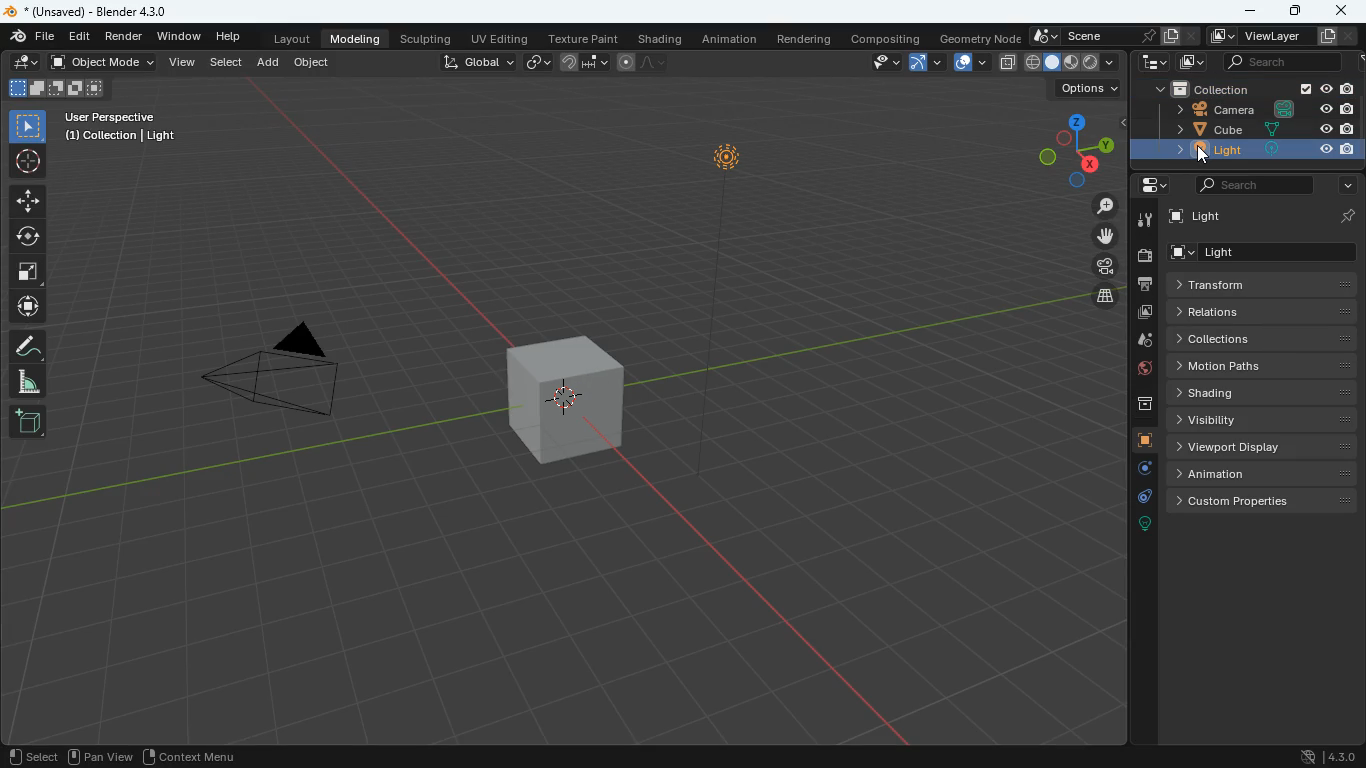 Image resolution: width=1366 pixels, height=768 pixels. What do you see at coordinates (1253, 185) in the screenshot?
I see `search` at bounding box center [1253, 185].